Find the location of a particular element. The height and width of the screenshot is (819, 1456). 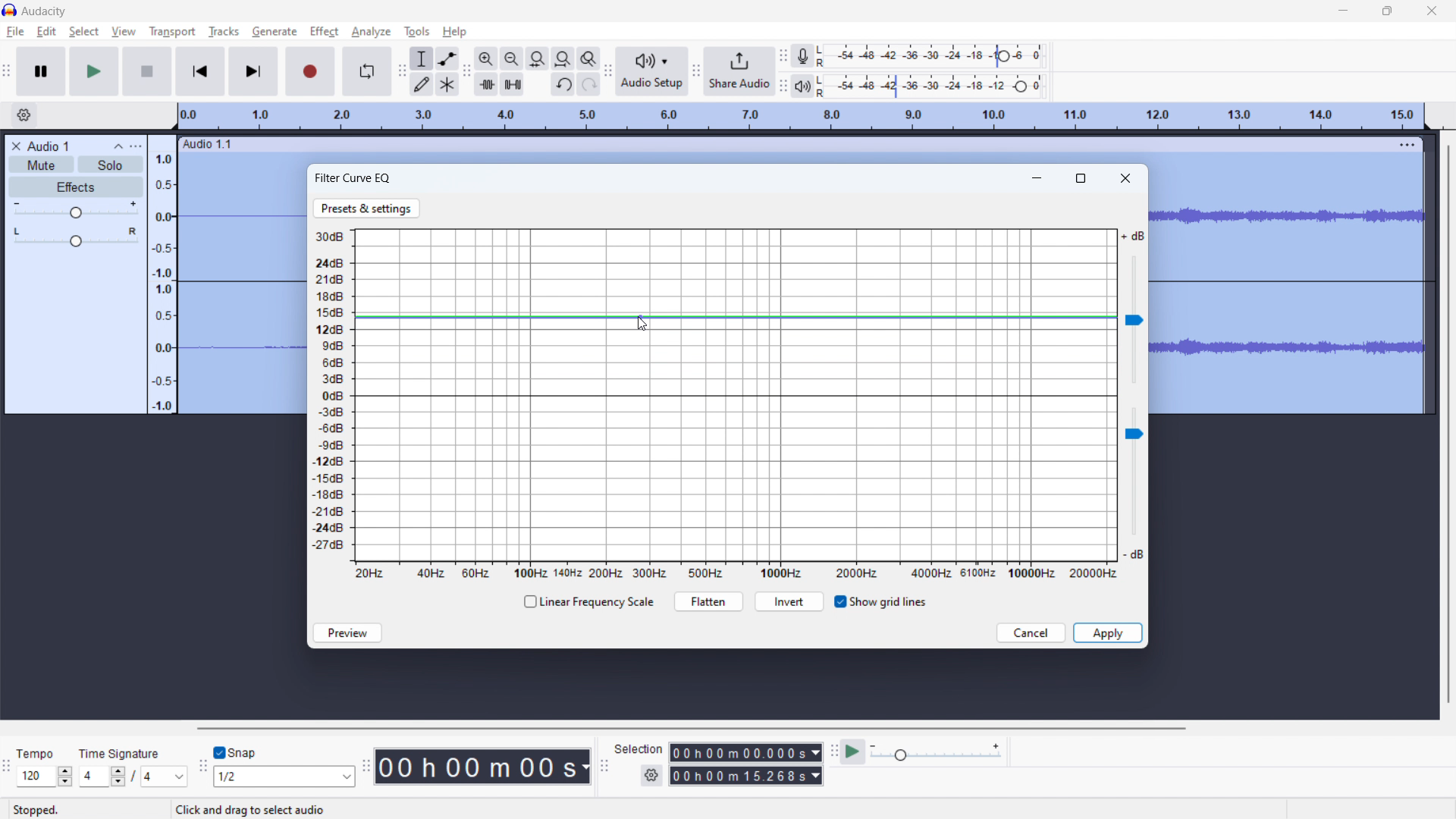

redo is located at coordinates (588, 84).